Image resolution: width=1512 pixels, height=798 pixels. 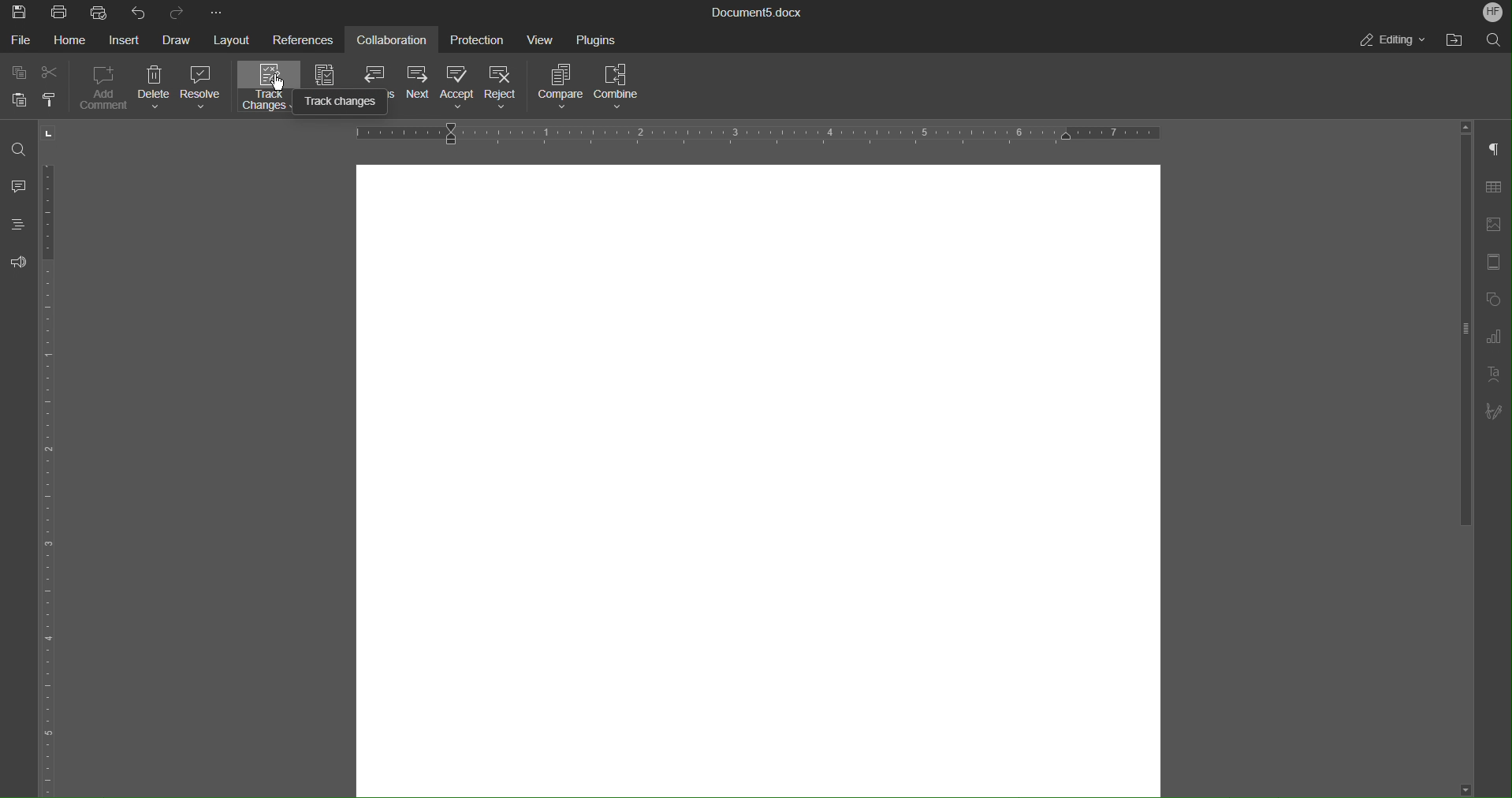 What do you see at coordinates (76, 42) in the screenshot?
I see `Home` at bounding box center [76, 42].